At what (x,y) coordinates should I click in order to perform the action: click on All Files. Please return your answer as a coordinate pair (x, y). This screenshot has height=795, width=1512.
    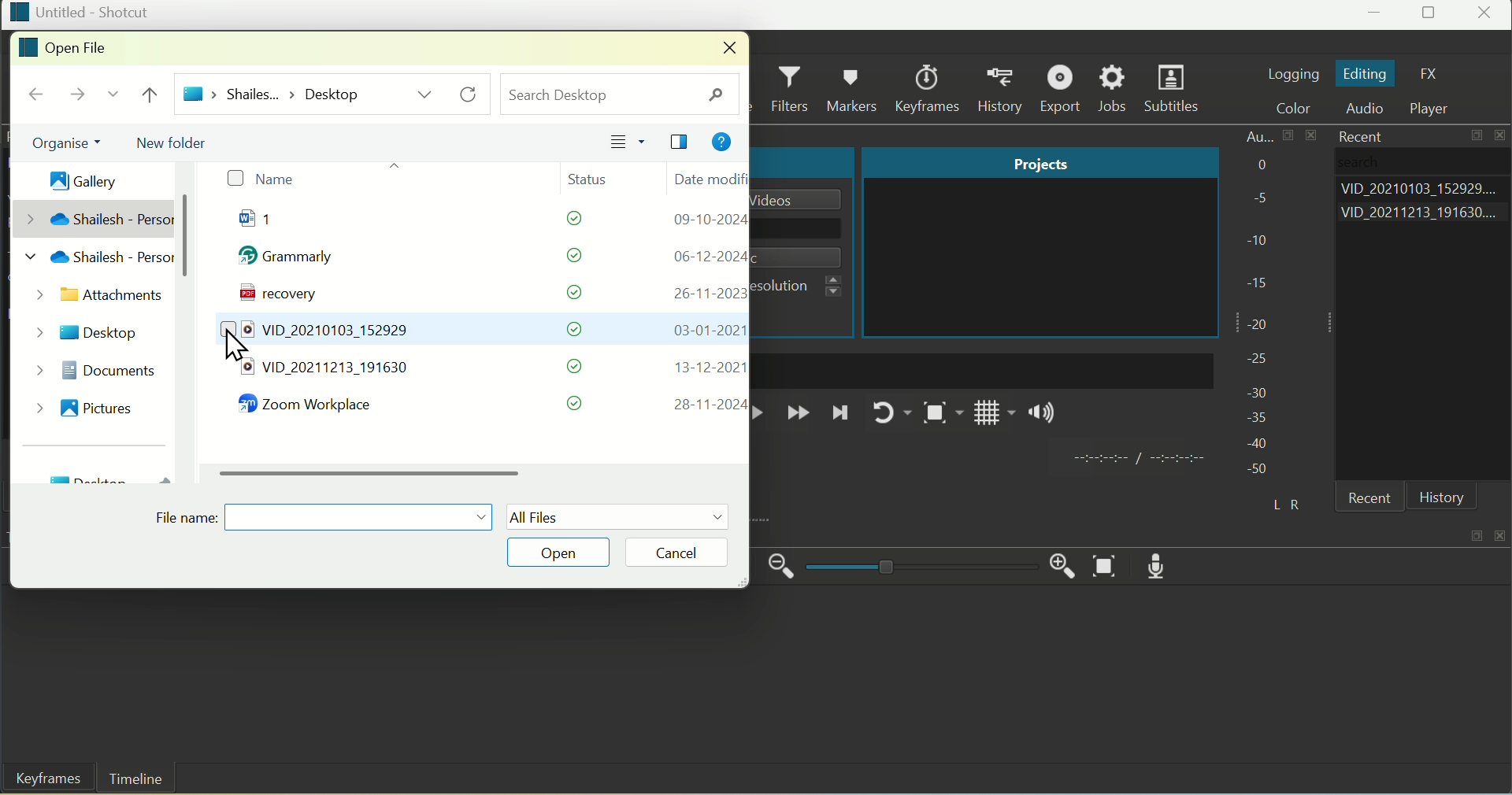
    Looking at the image, I should click on (618, 516).